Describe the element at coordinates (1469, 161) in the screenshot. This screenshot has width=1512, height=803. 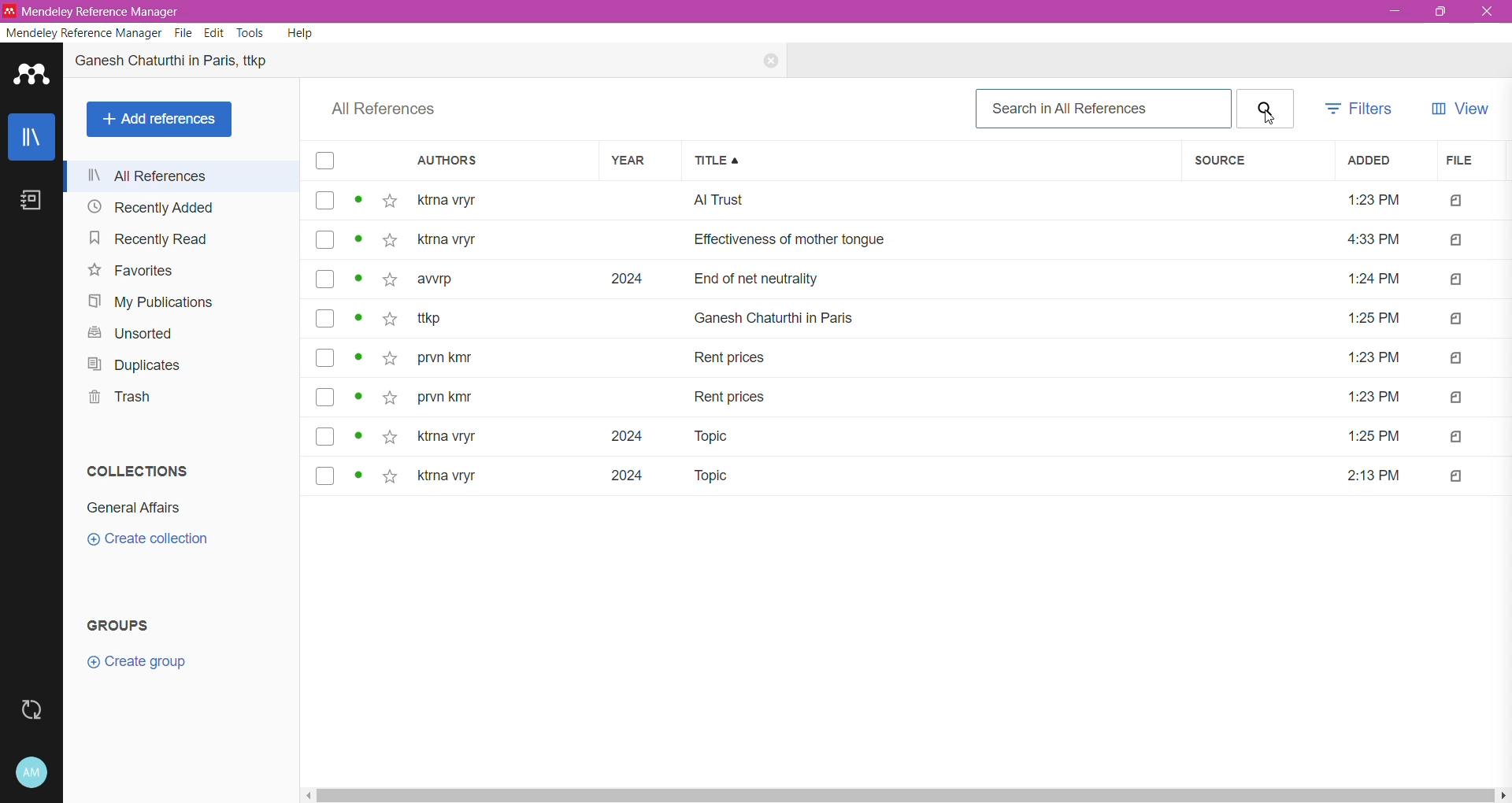
I see `File` at that location.